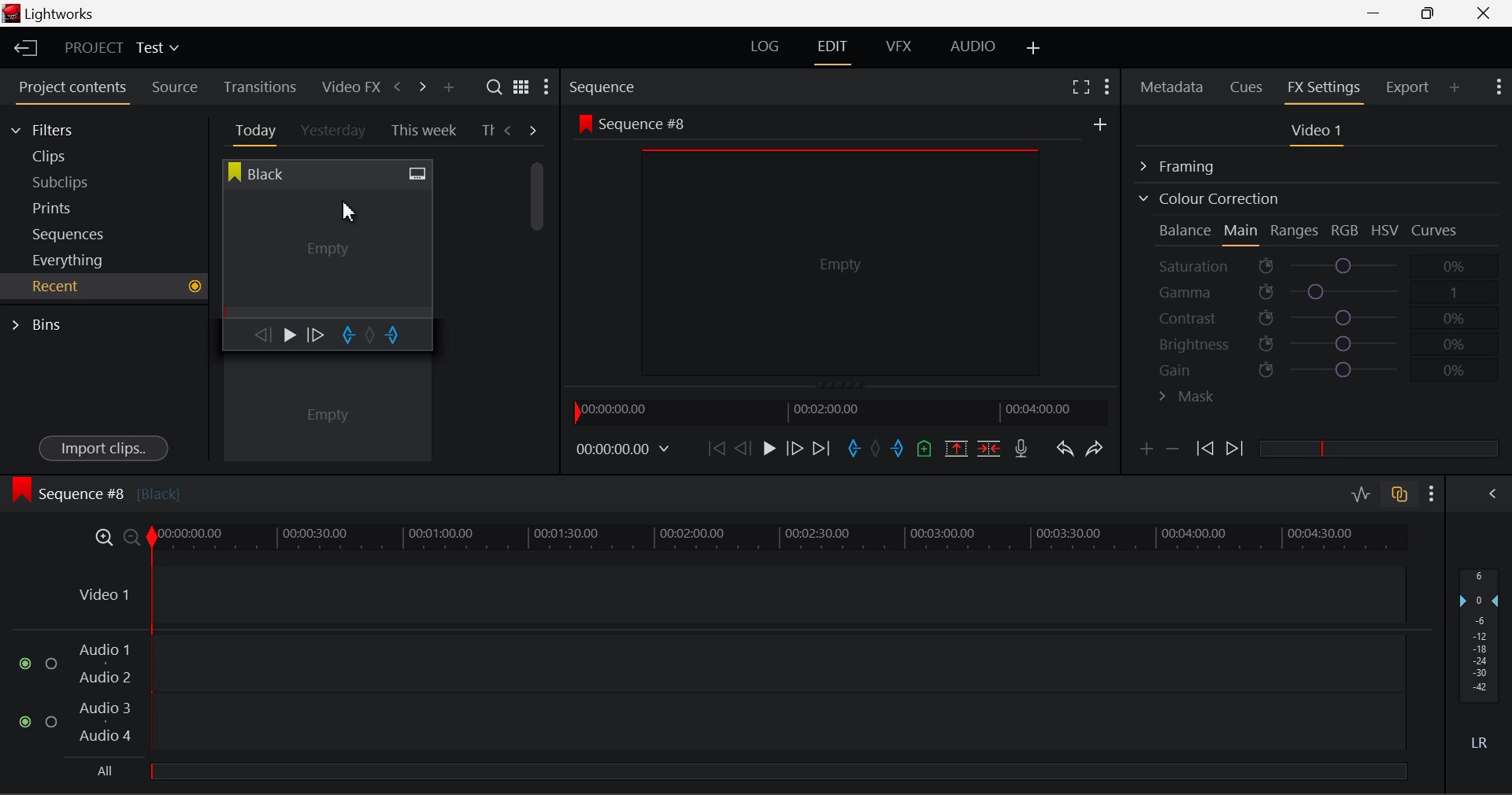 This screenshot has width=1512, height=795. Describe the element at coordinates (1242, 232) in the screenshot. I see `Main Tab Open` at that location.